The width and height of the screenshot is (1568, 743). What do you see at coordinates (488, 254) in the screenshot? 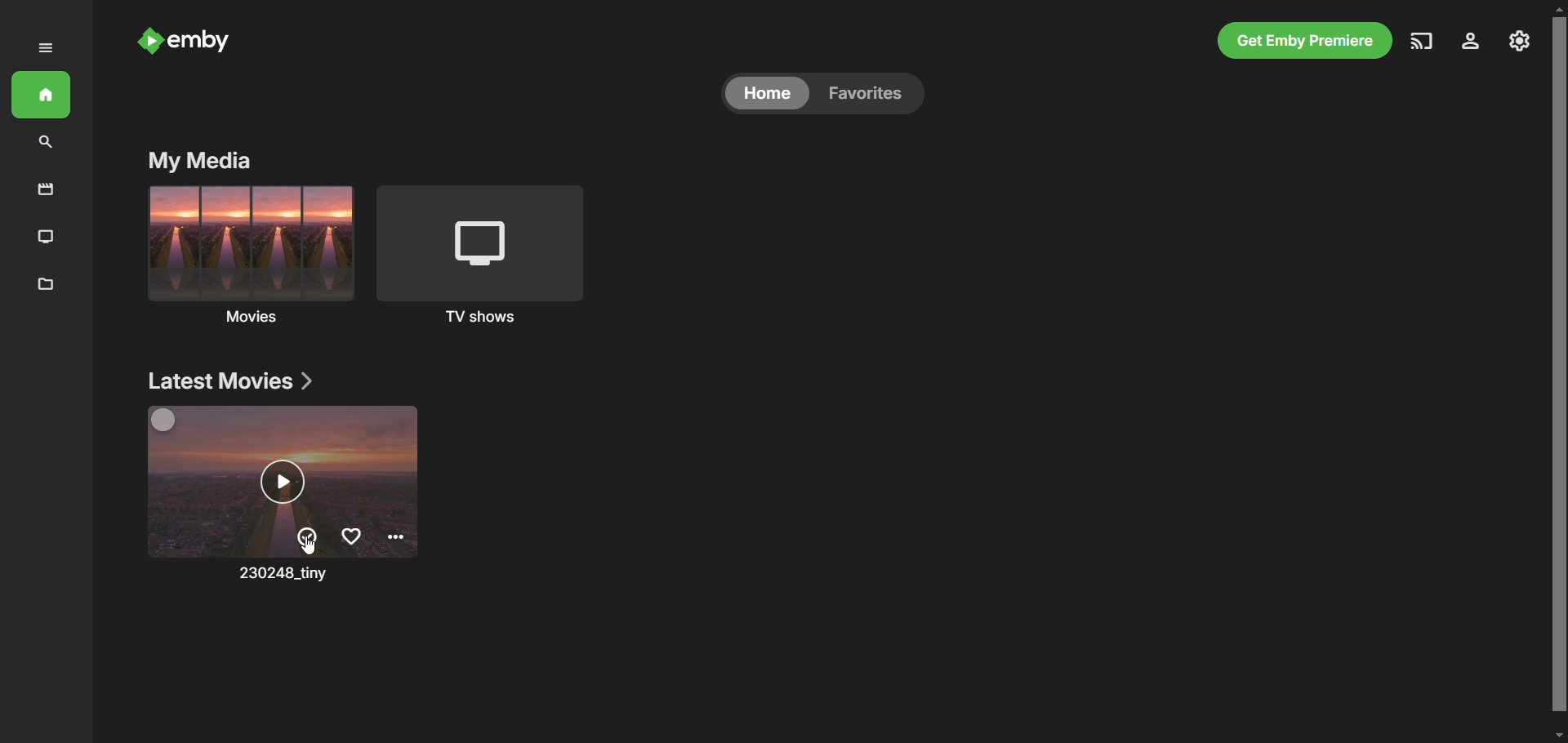
I see `TV shows` at bounding box center [488, 254].